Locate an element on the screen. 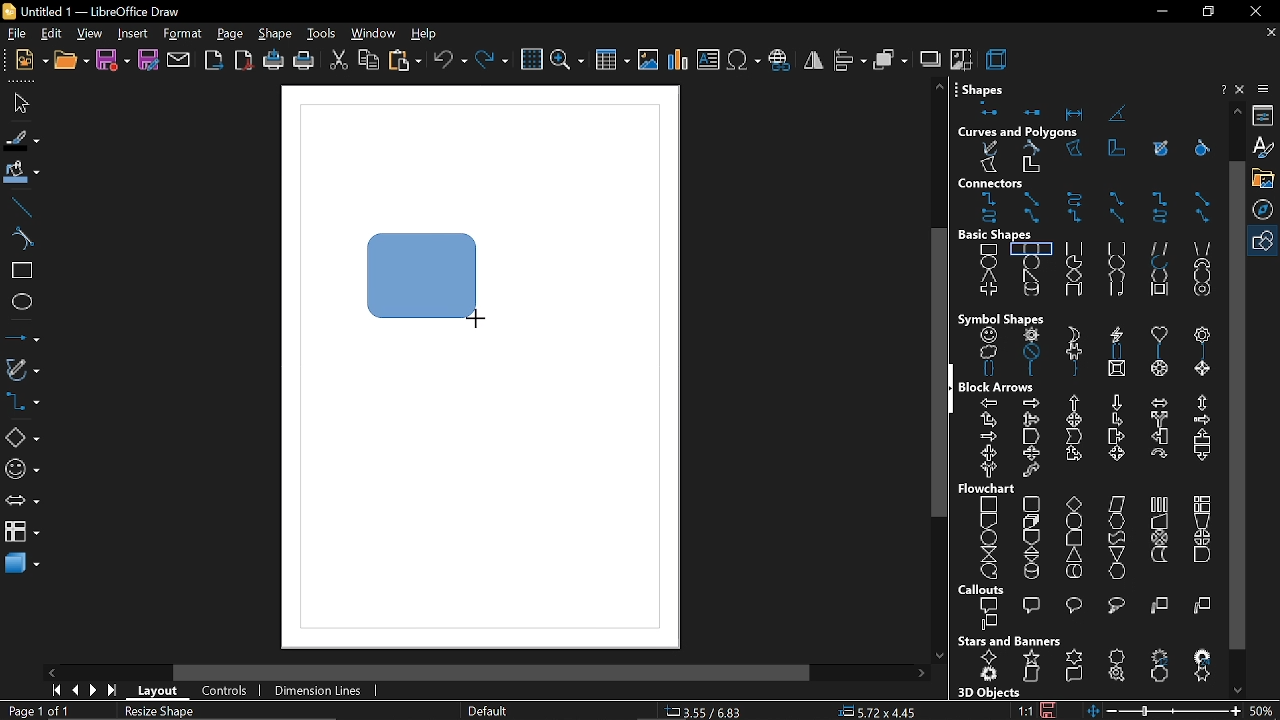  current page is located at coordinates (38, 711).